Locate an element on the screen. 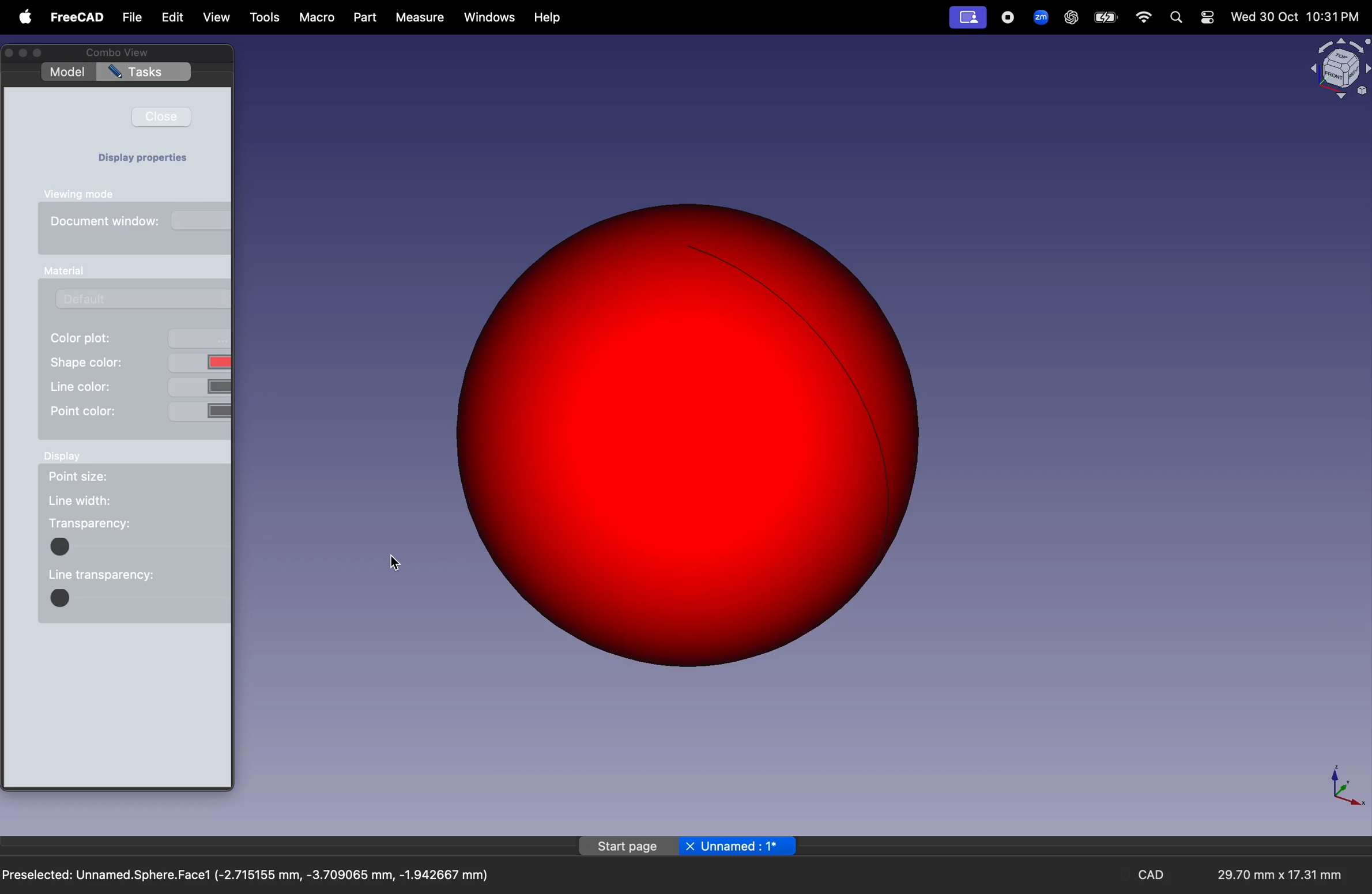  display is located at coordinates (70, 455).